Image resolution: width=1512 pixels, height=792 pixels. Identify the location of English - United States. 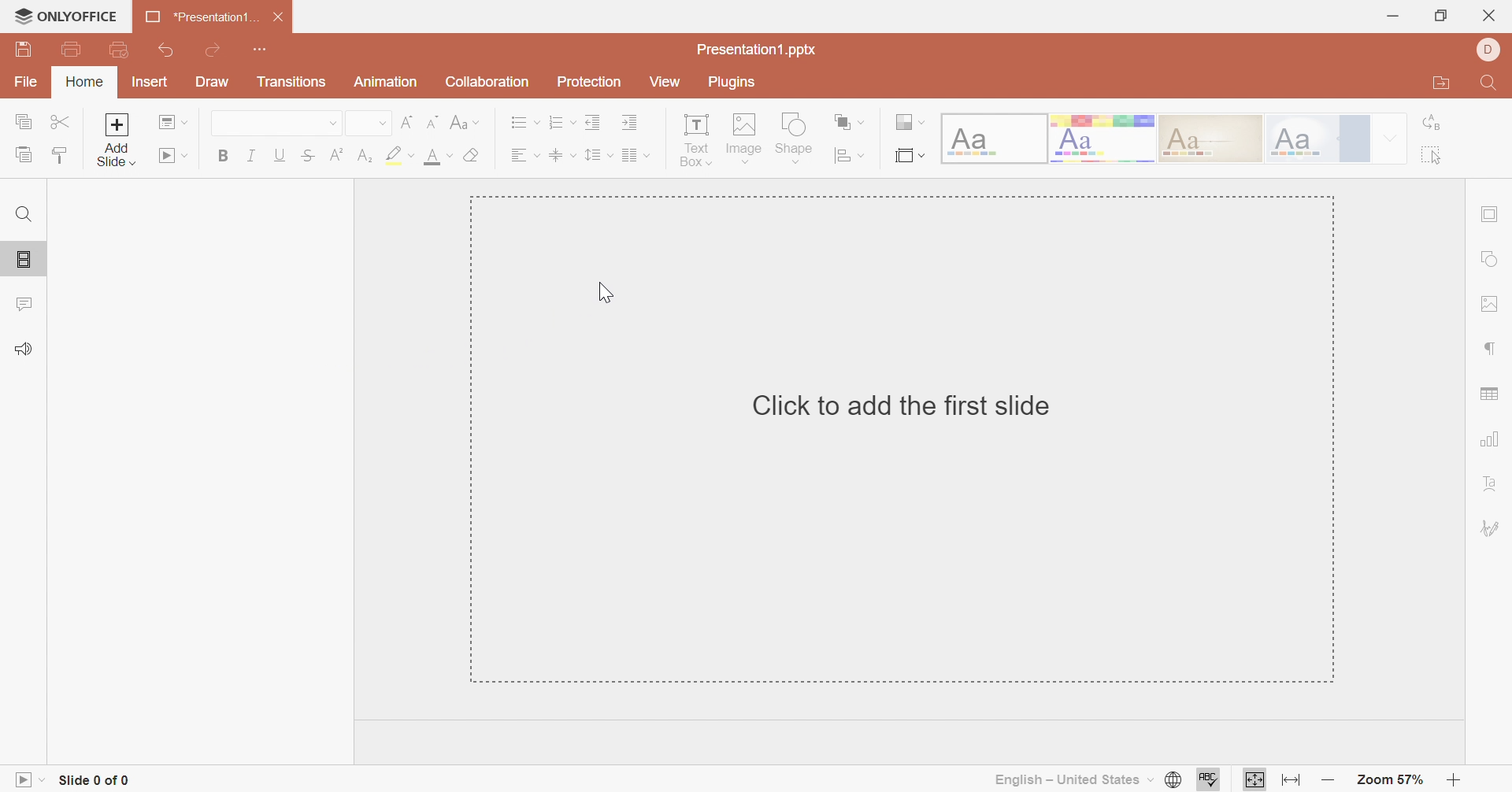
(1064, 781).